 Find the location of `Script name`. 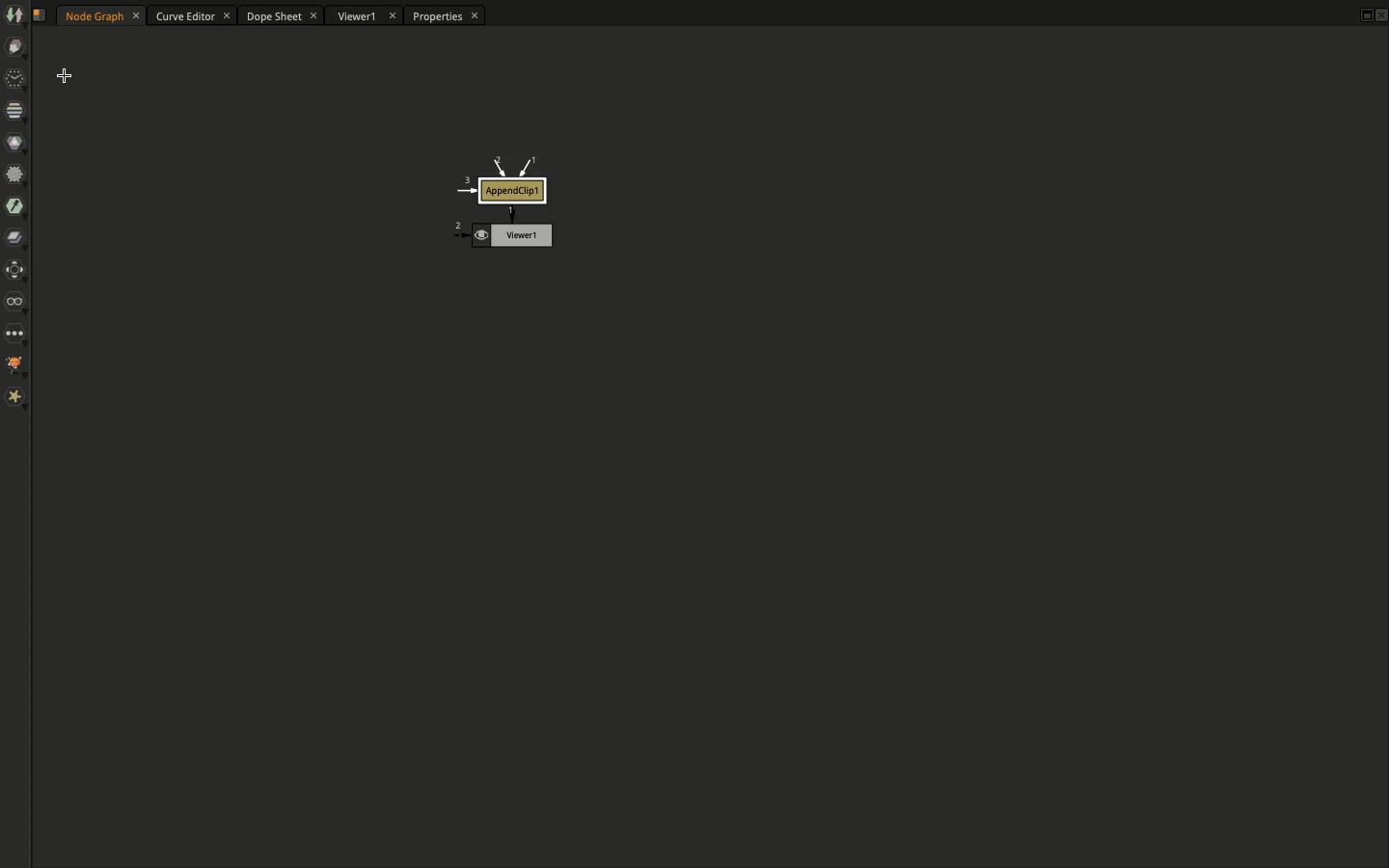

Script name is located at coordinates (44, 16).